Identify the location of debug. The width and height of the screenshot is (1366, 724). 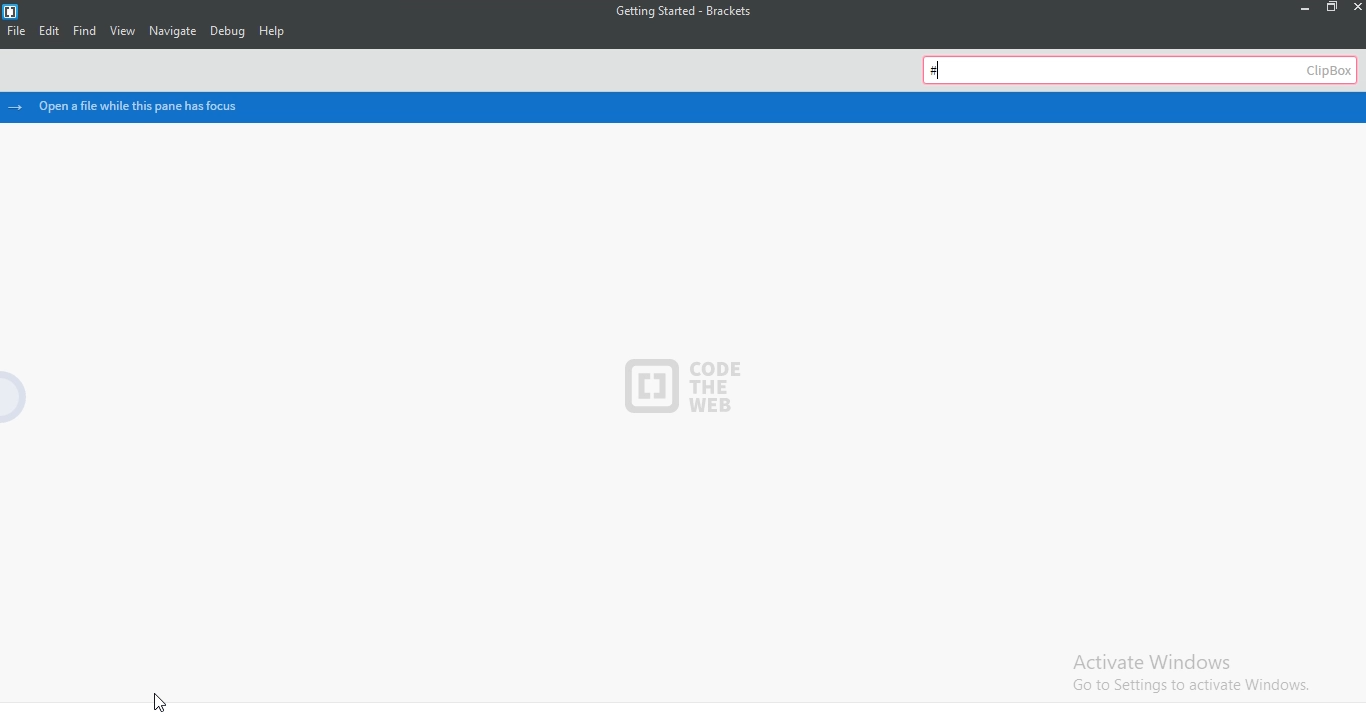
(225, 29).